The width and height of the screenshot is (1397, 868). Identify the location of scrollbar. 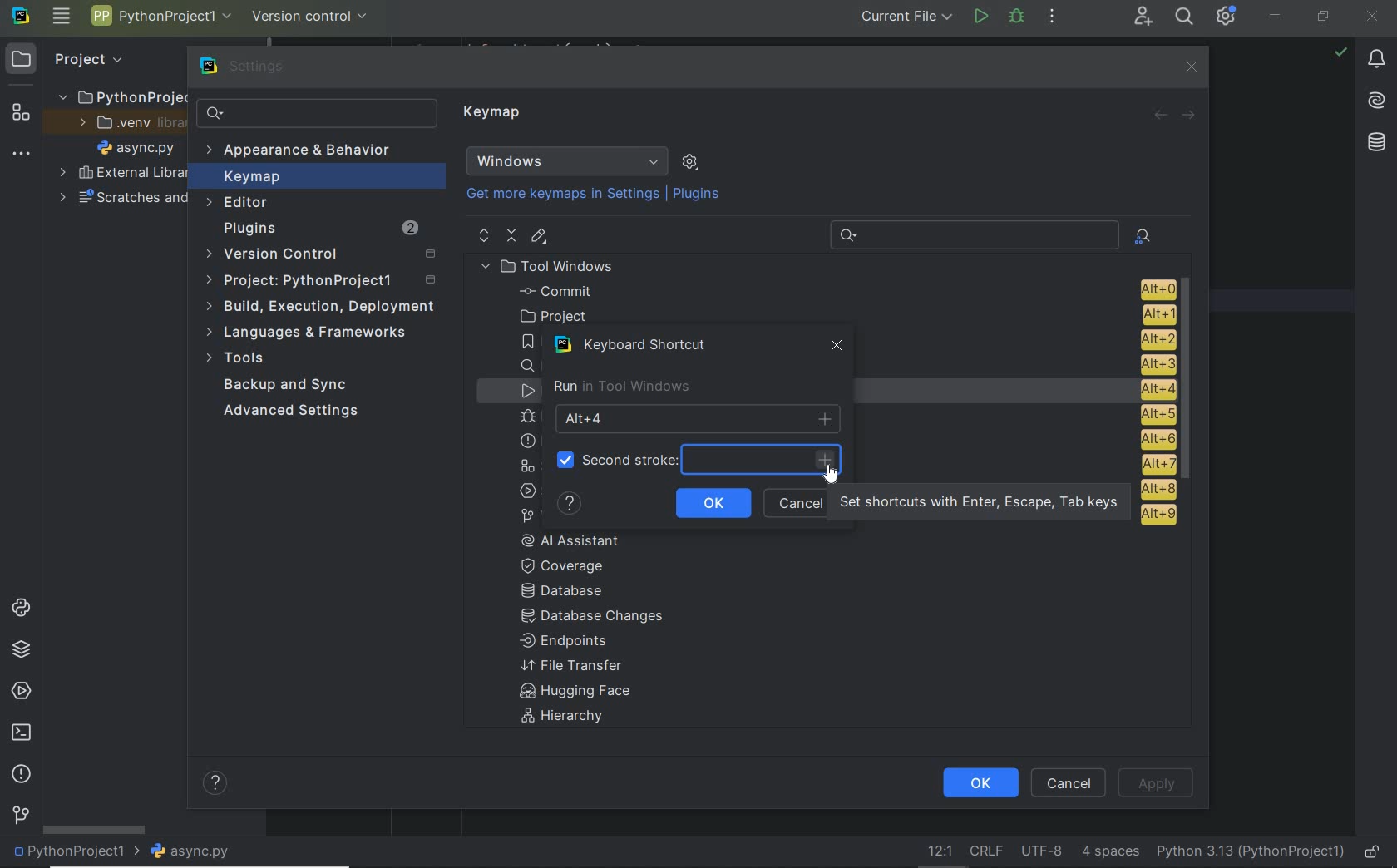
(92, 829).